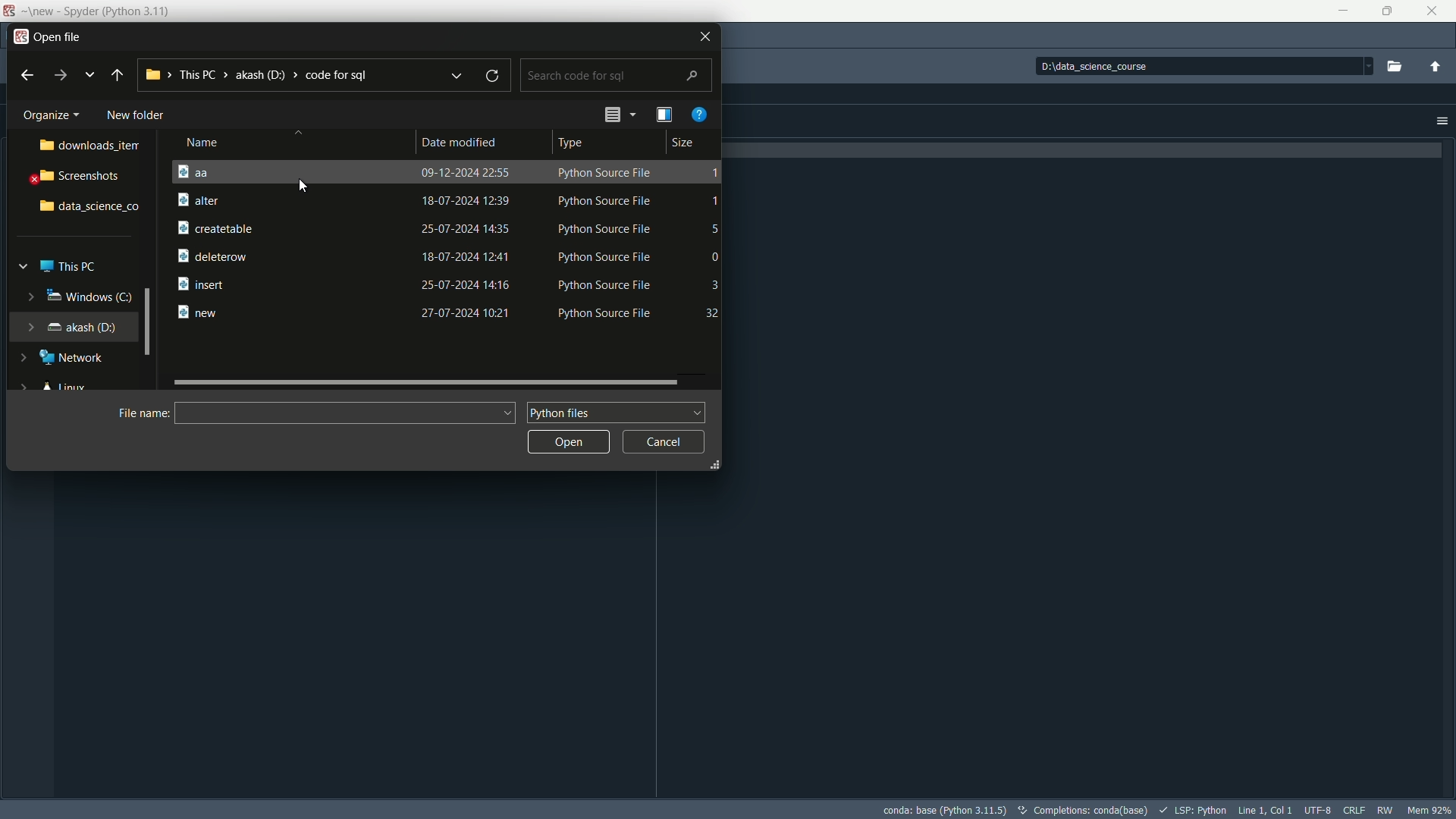 This screenshot has width=1456, height=819. I want to click on file encoding, so click(1319, 810).